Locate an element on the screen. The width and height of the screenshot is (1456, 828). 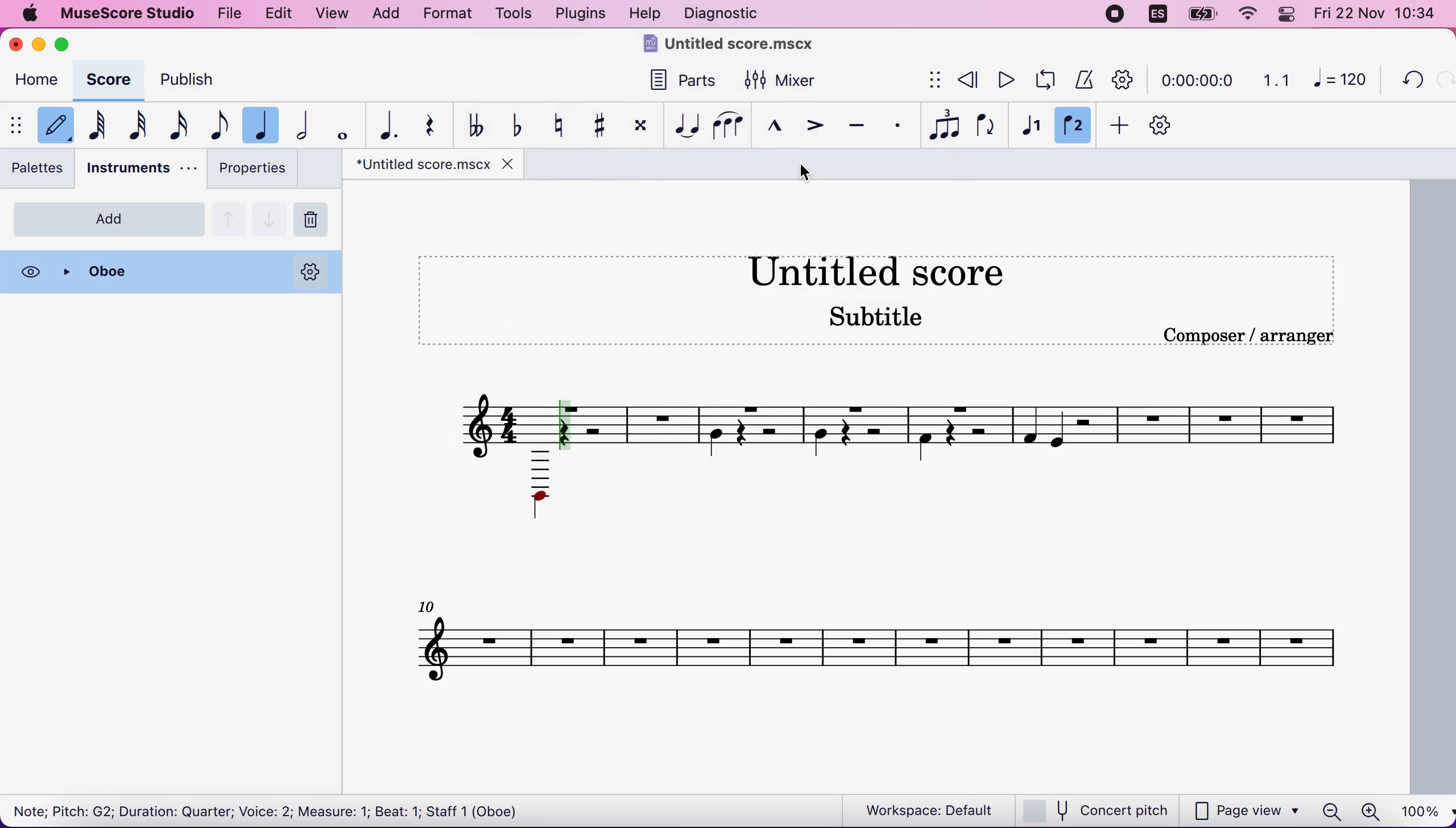
workspace: default is located at coordinates (917, 809).